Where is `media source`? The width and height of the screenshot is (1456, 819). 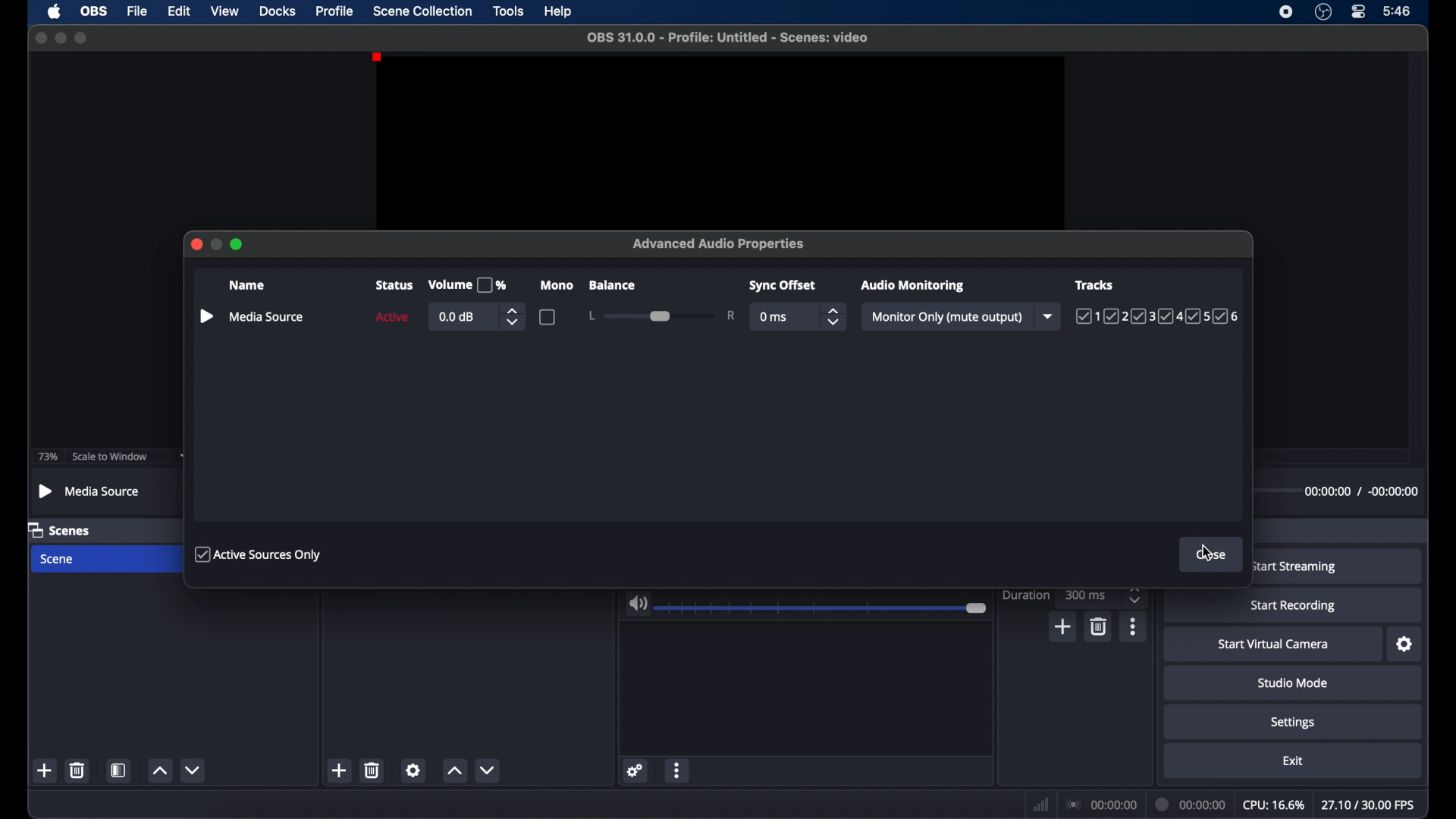
media source is located at coordinates (268, 316).